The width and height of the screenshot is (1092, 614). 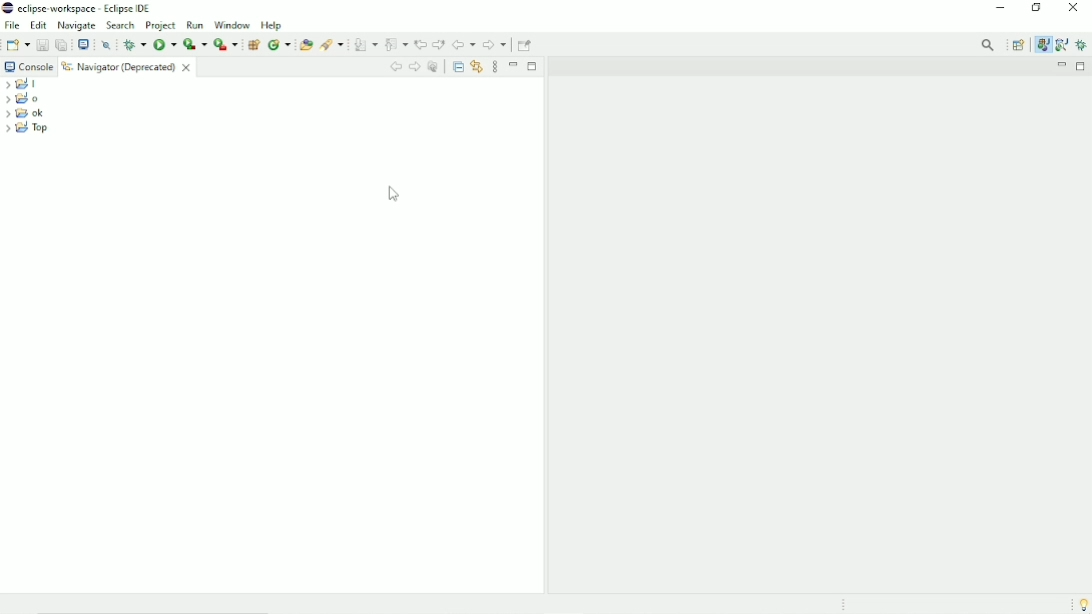 What do you see at coordinates (134, 44) in the screenshot?
I see `Debug` at bounding box center [134, 44].